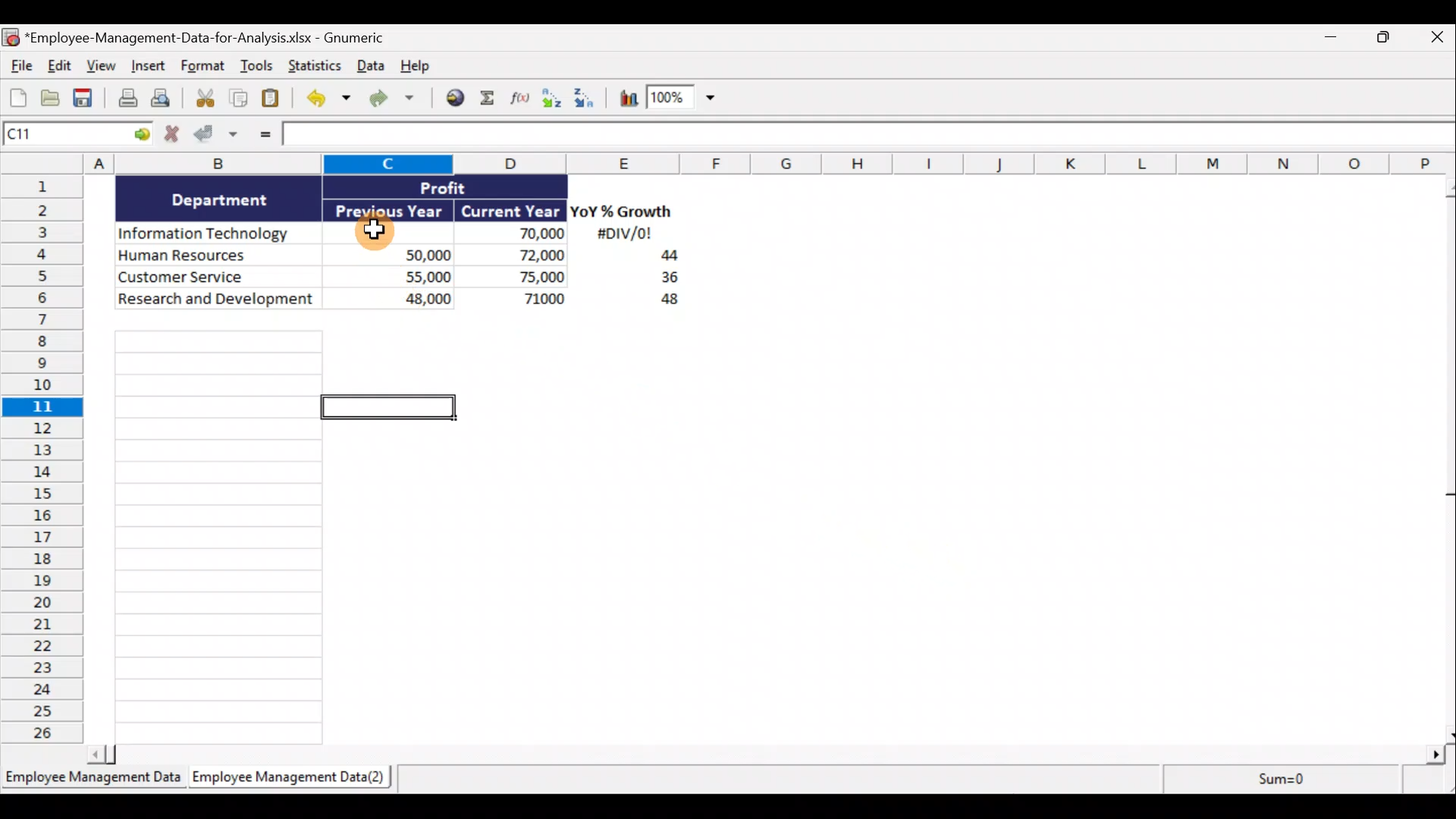 This screenshot has height=819, width=1456. What do you see at coordinates (582, 96) in the screenshot?
I see `Sort descending` at bounding box center [582, 96].